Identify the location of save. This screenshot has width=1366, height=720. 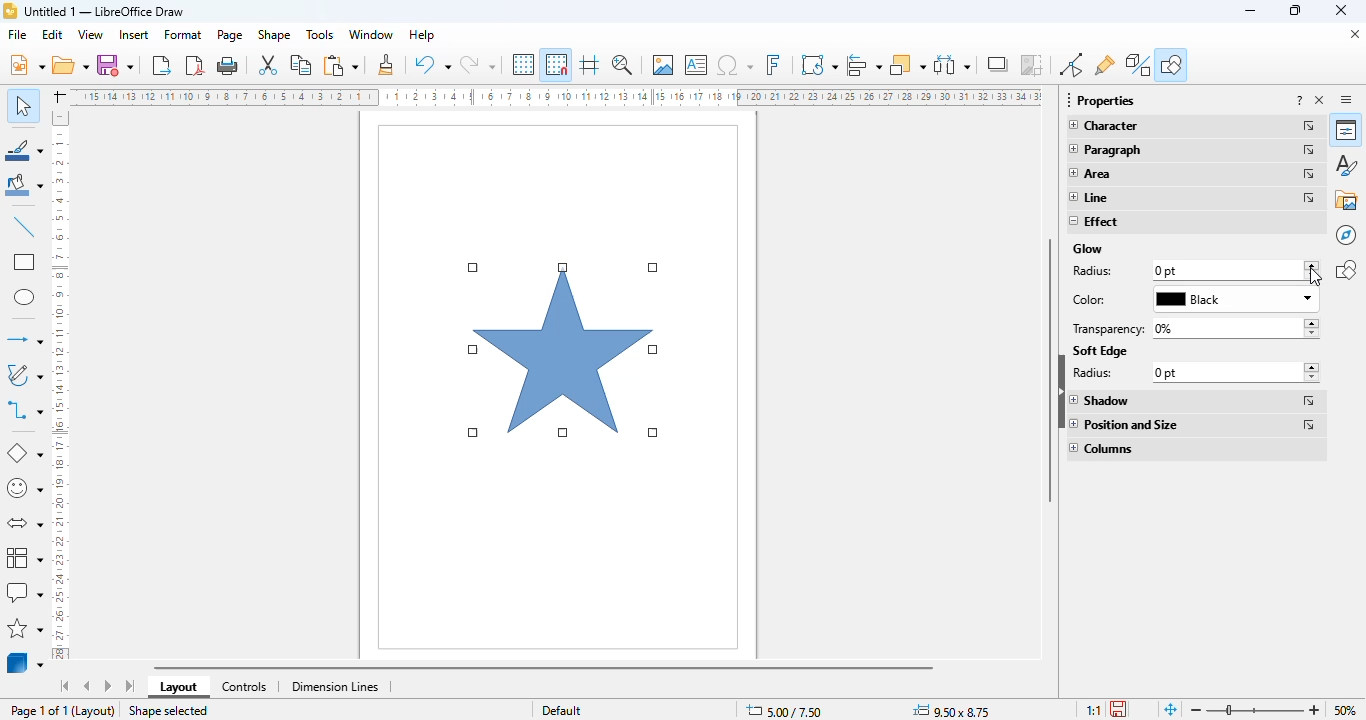
(115, 65).